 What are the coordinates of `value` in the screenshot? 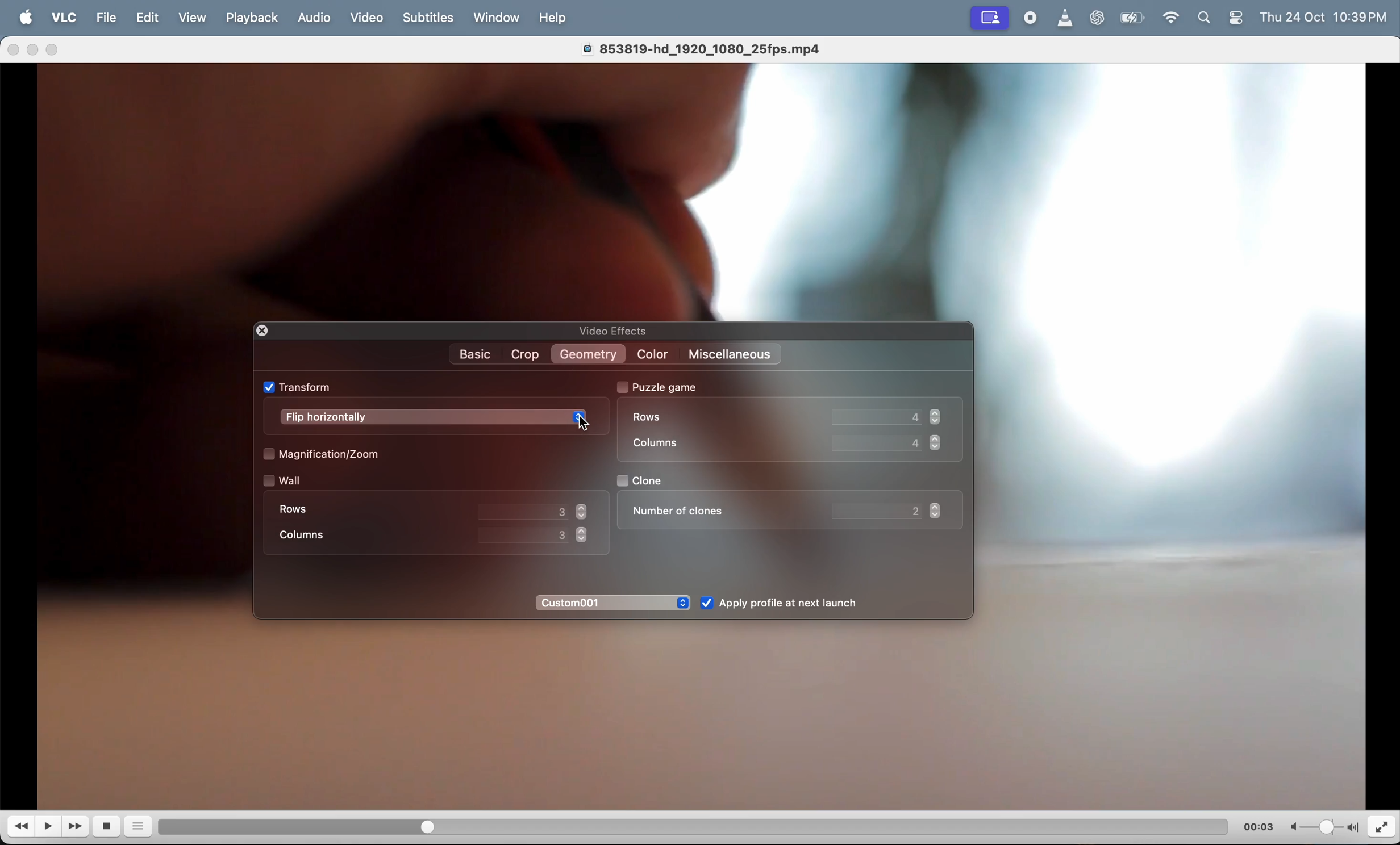 It's located at (536, 512).